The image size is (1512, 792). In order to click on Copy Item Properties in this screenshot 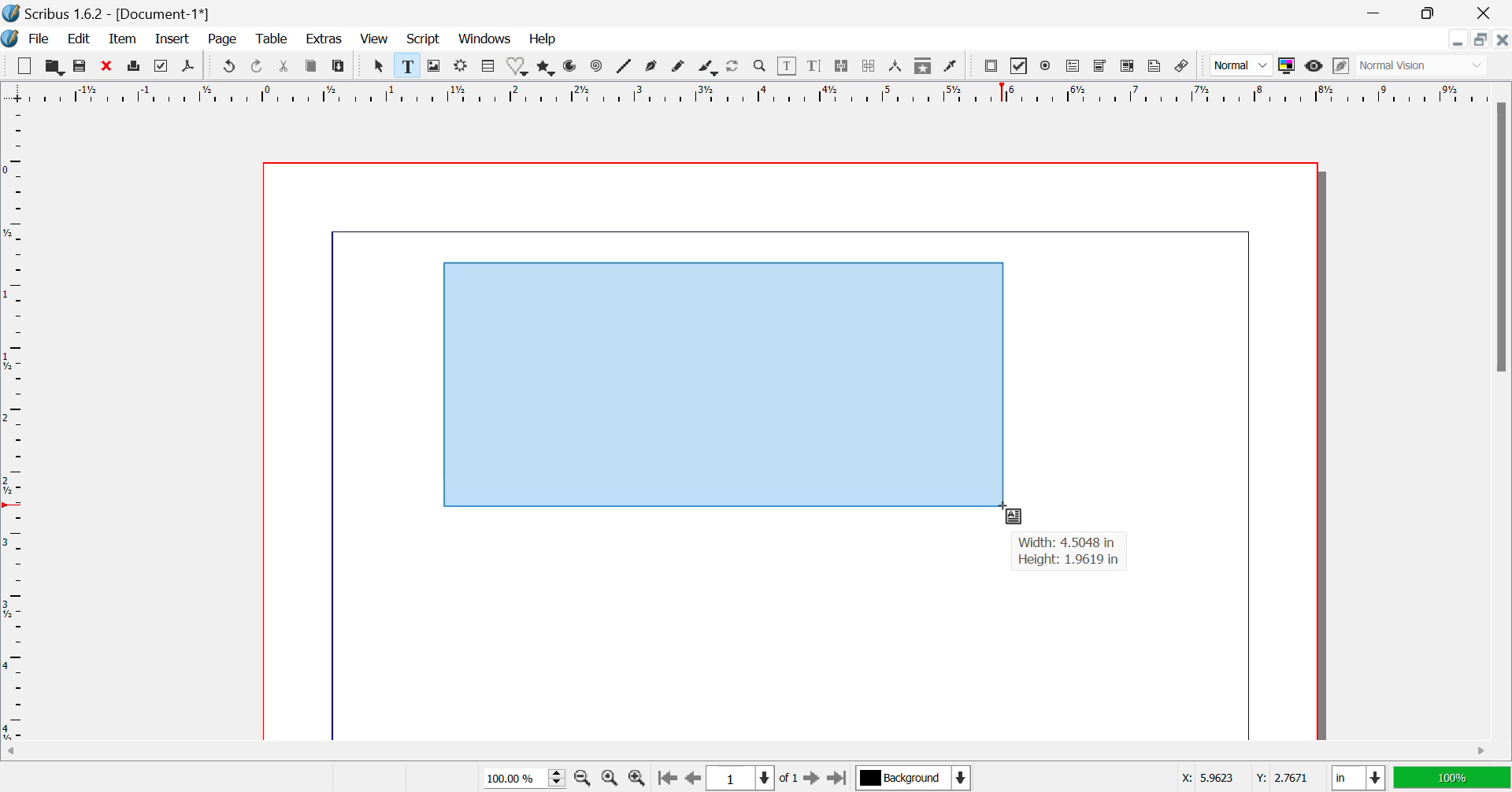, I will do `click(925, 67)`.